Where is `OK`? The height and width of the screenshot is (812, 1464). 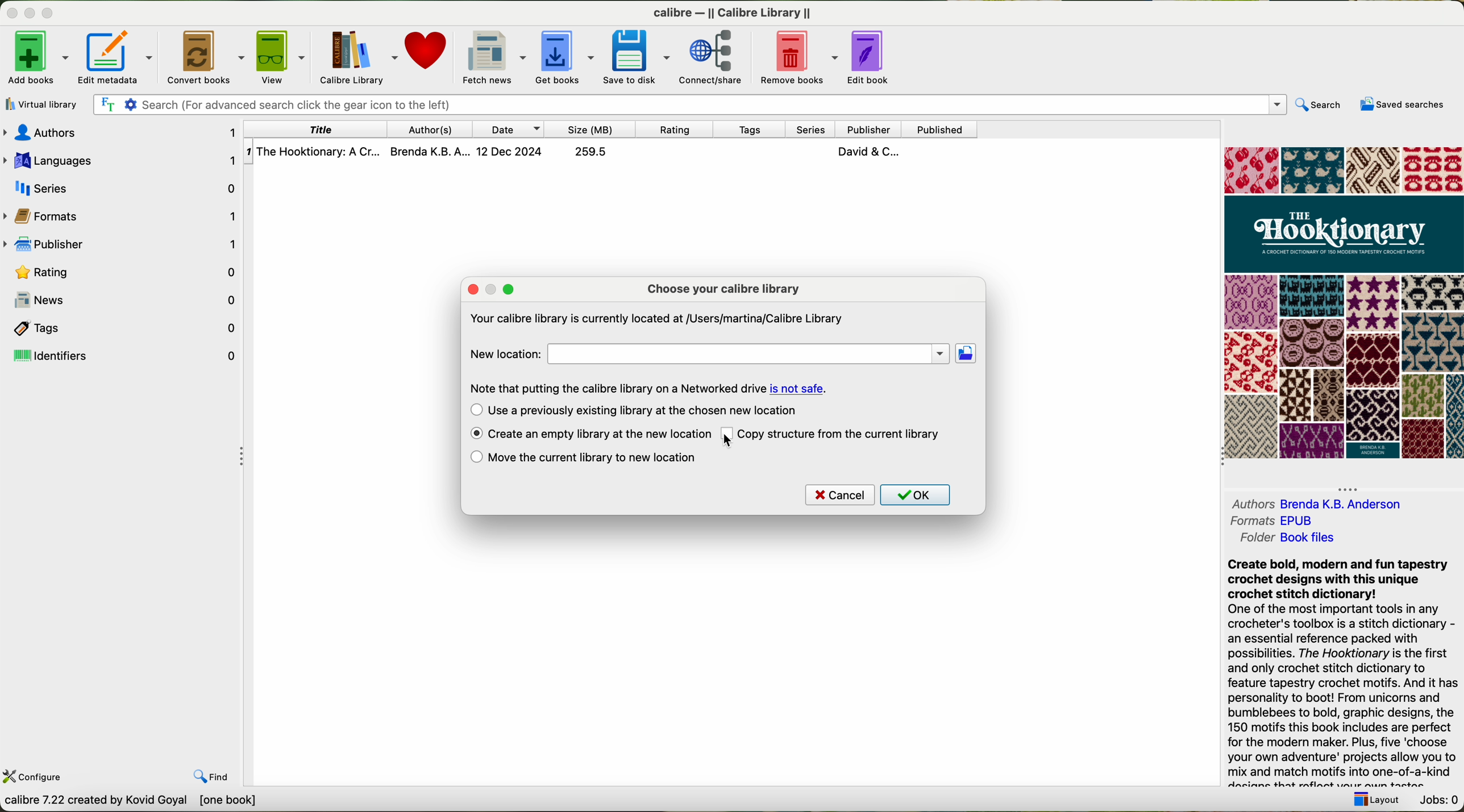 OK is located at coordinates (917, 495).